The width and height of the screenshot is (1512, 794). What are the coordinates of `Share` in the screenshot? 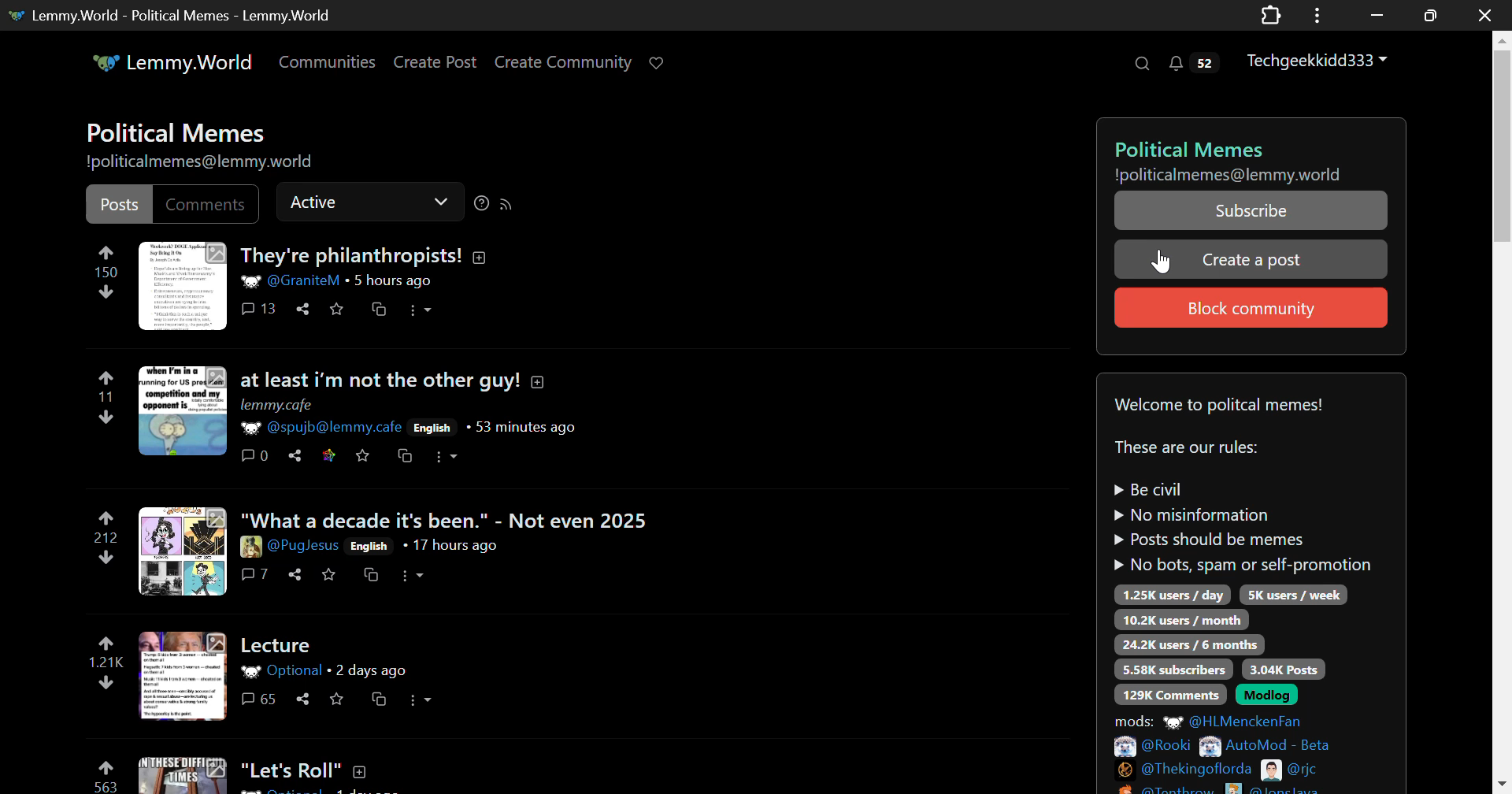 It's located at (295, 574).